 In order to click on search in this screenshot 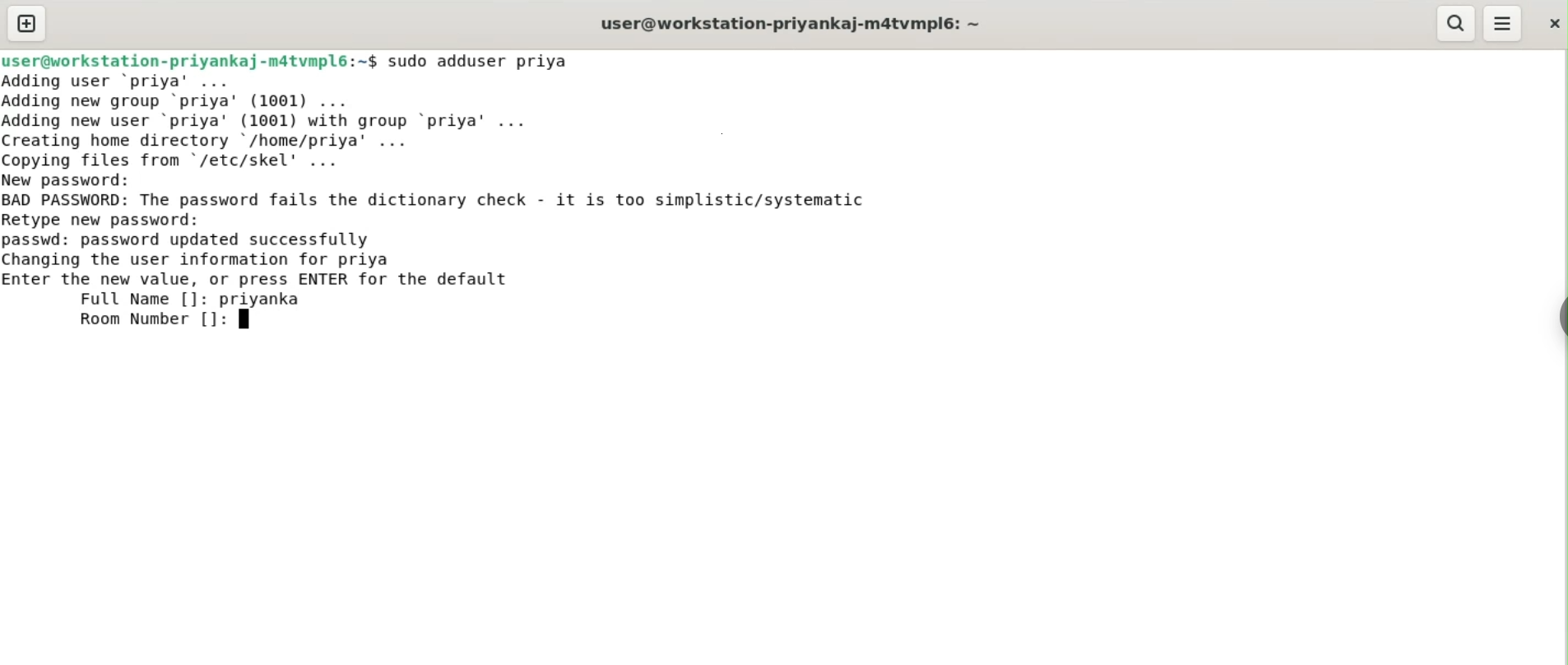, I will do `click(1457, 24)`.